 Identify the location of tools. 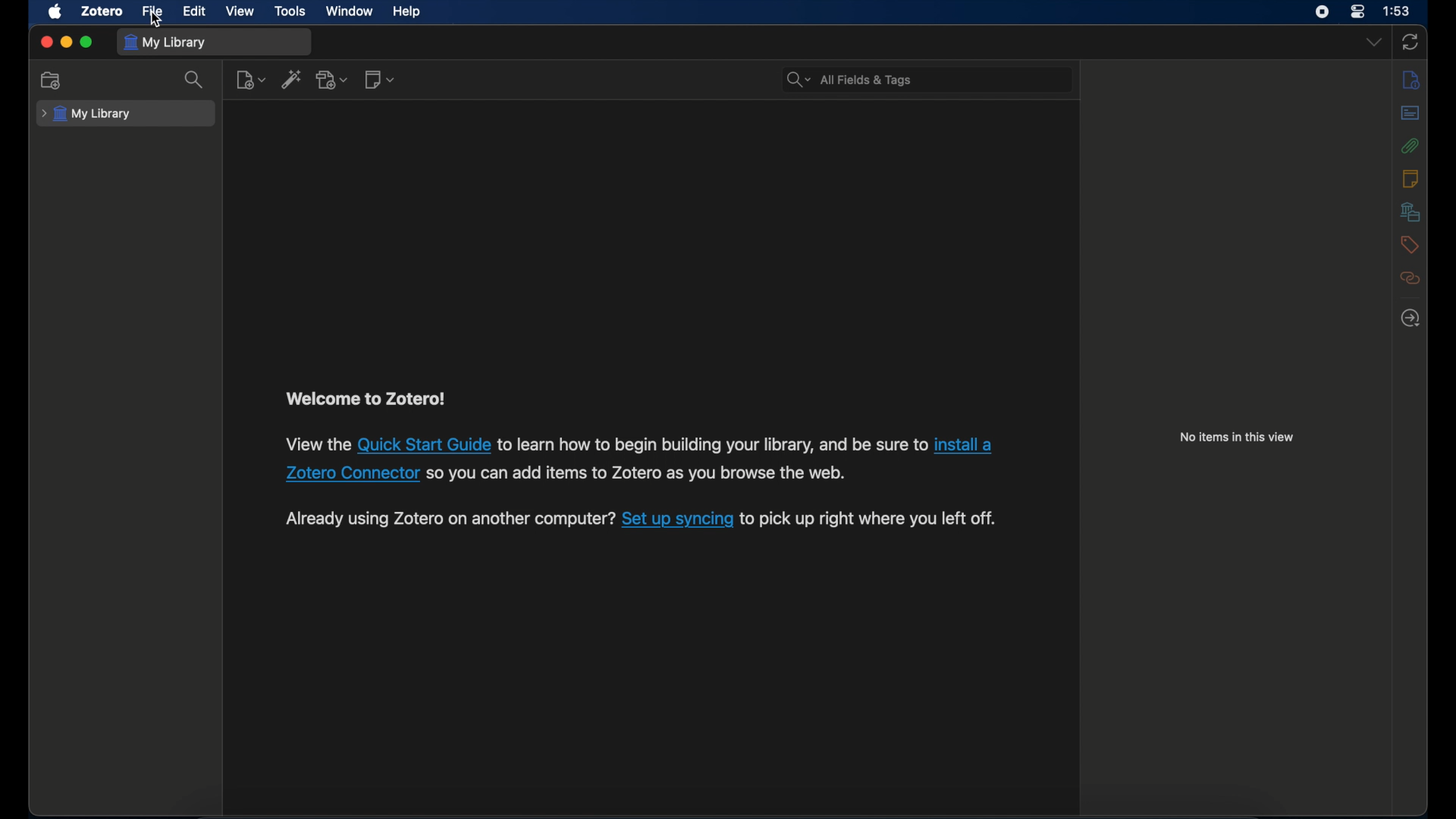
(291, 11).